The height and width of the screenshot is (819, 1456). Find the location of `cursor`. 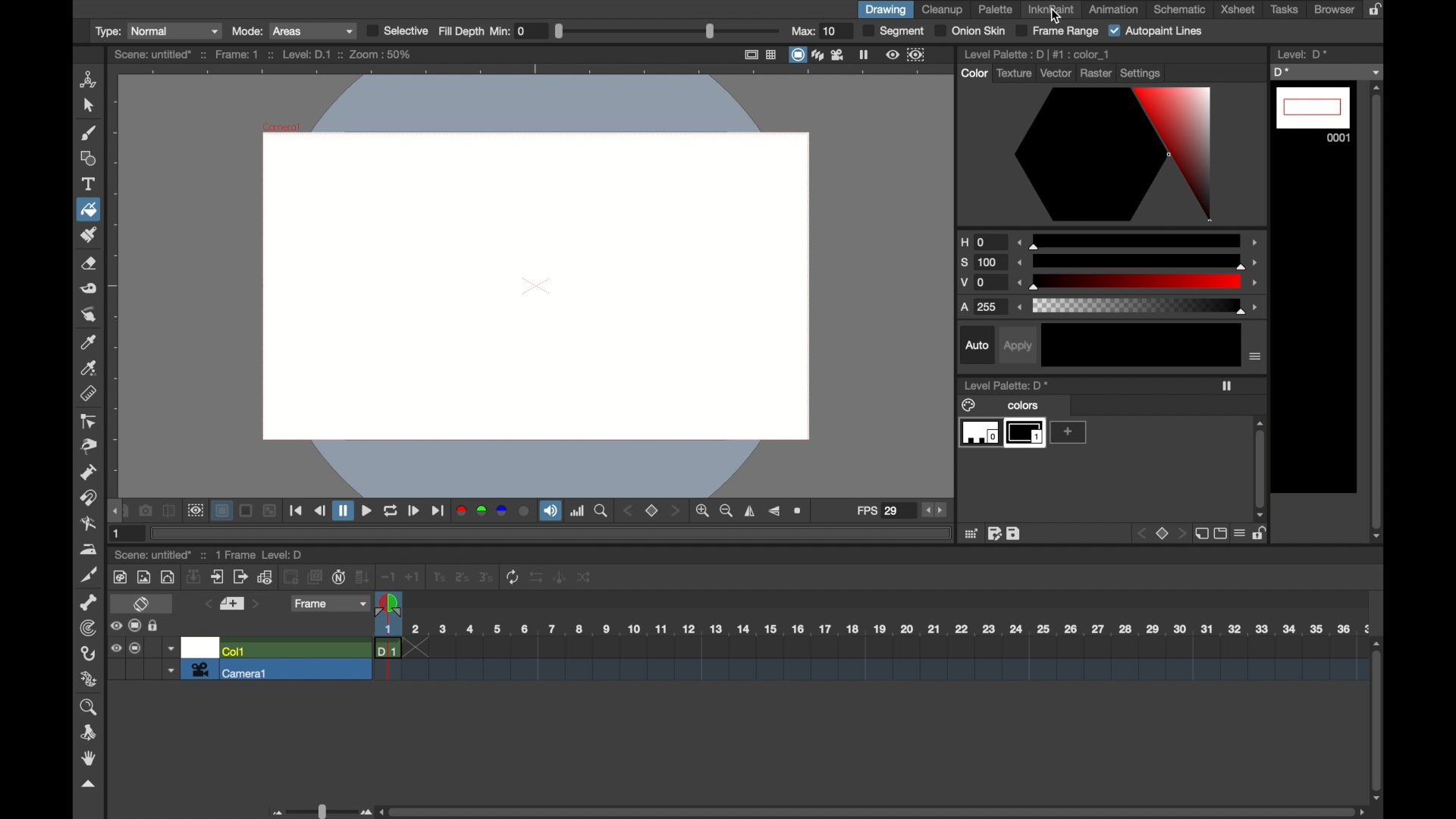

cursor is located at coordinates (1056, 16).